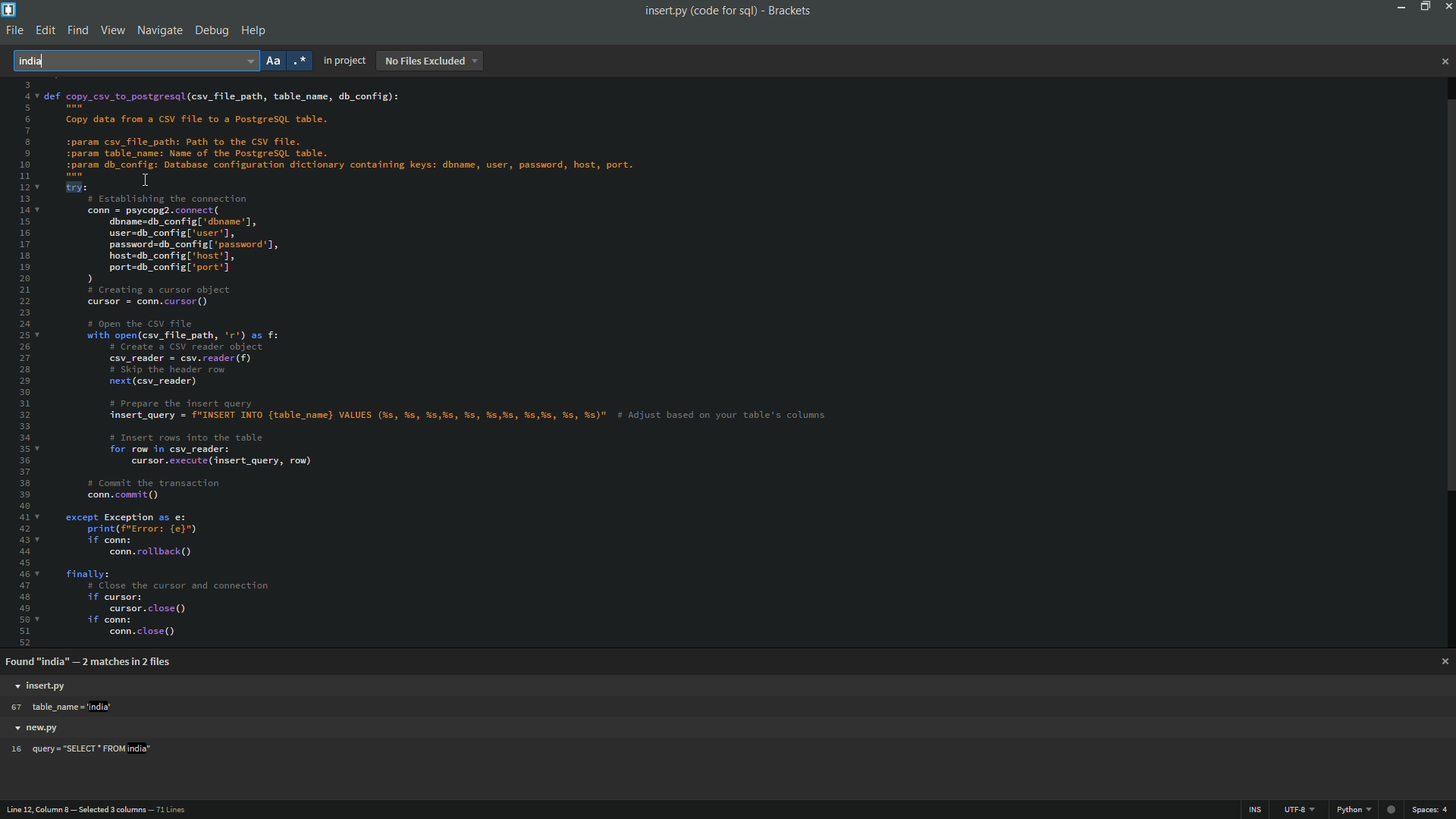 This screenshot has height=819, width=1456. Describe the element at coordinates (344, 61) in the screenshot. I see `in project` at that location.